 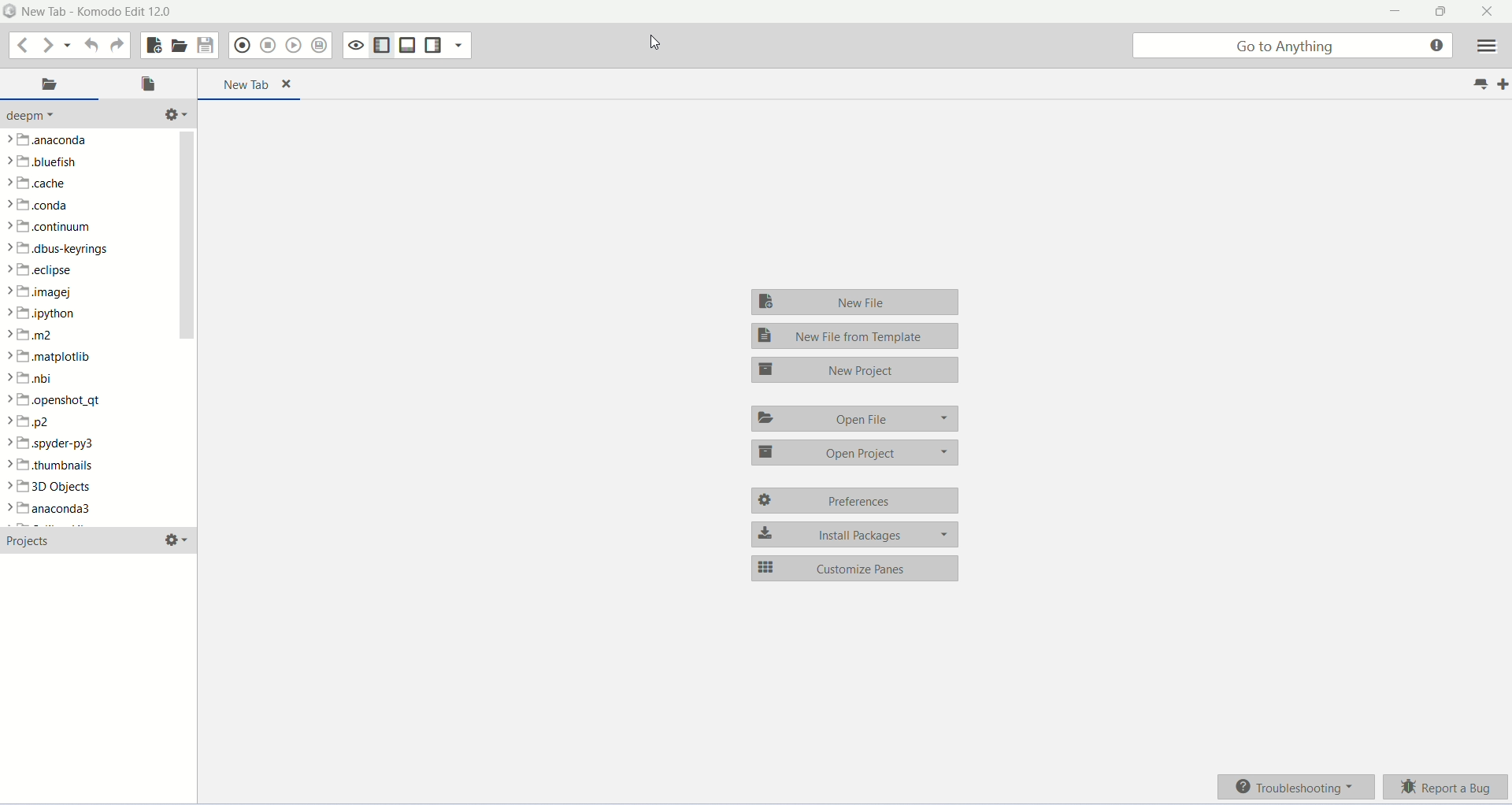 I want to click on recent location, so click(x=67, y=46).